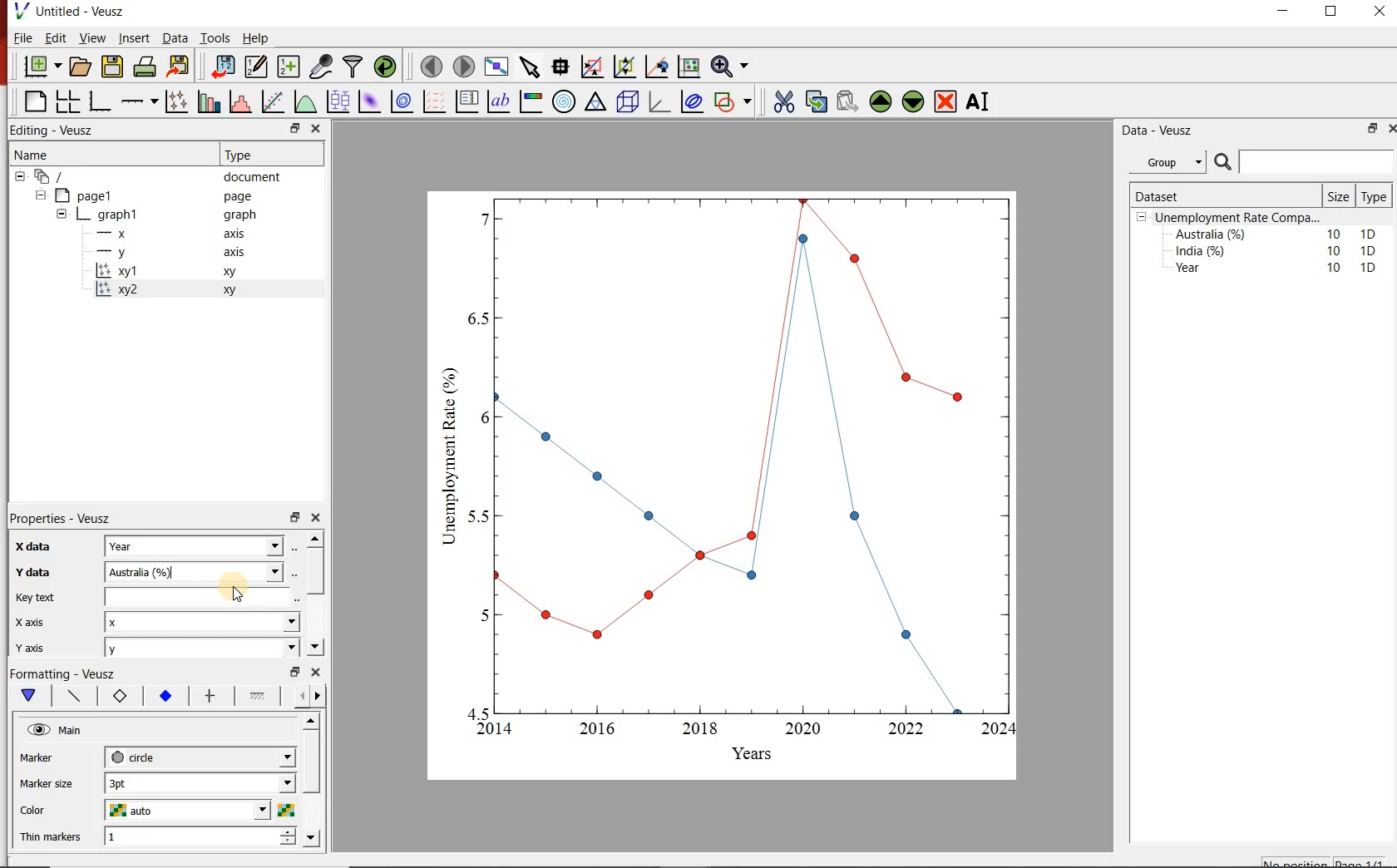 The width and height of the screenshot is (1397, 868). What do you see at coordinates (323, 66) in the screenshot?
I see `caputure remote data` at bounding box center [323, 66].